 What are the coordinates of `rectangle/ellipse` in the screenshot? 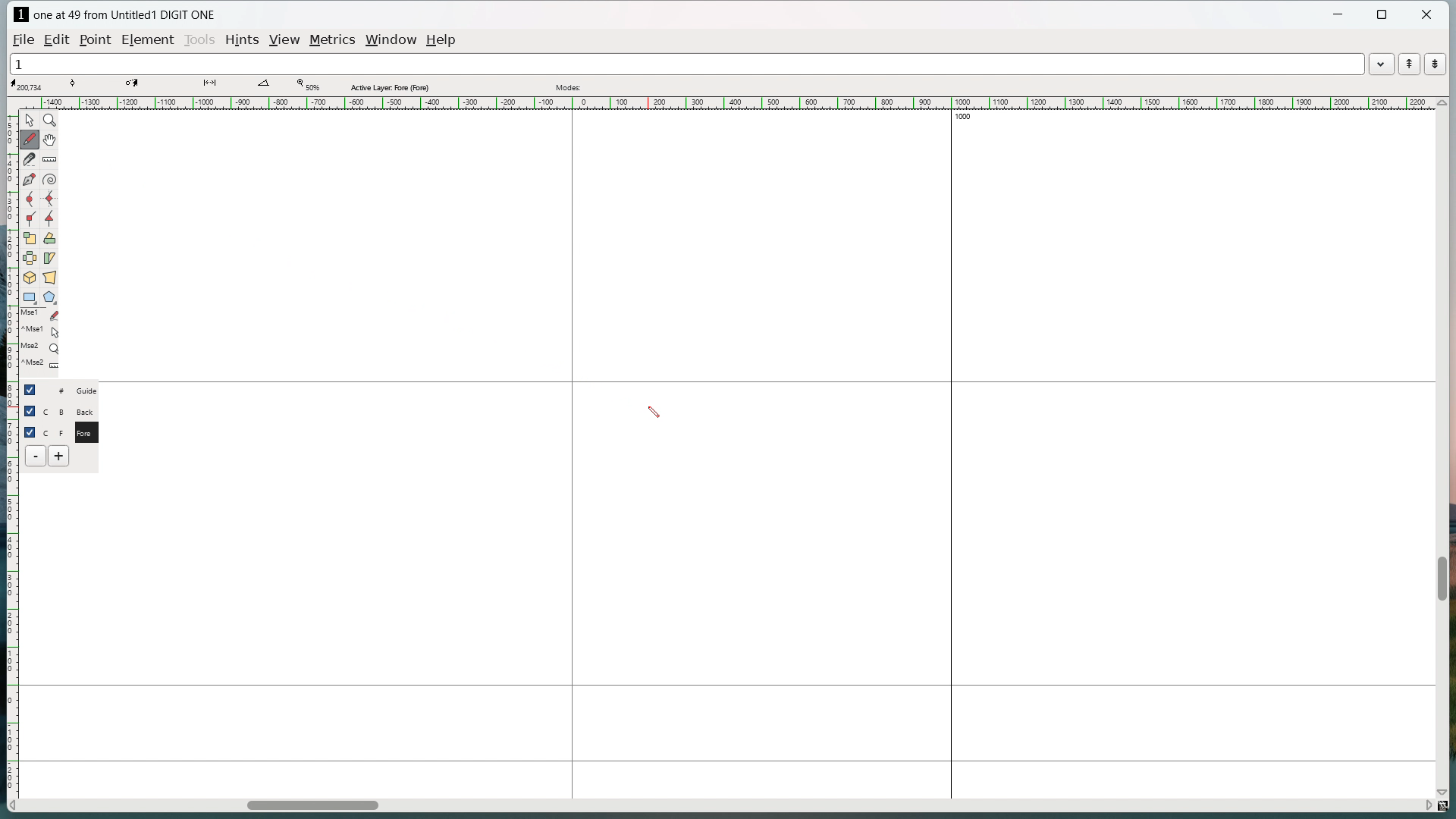 It's located at (30, 297).